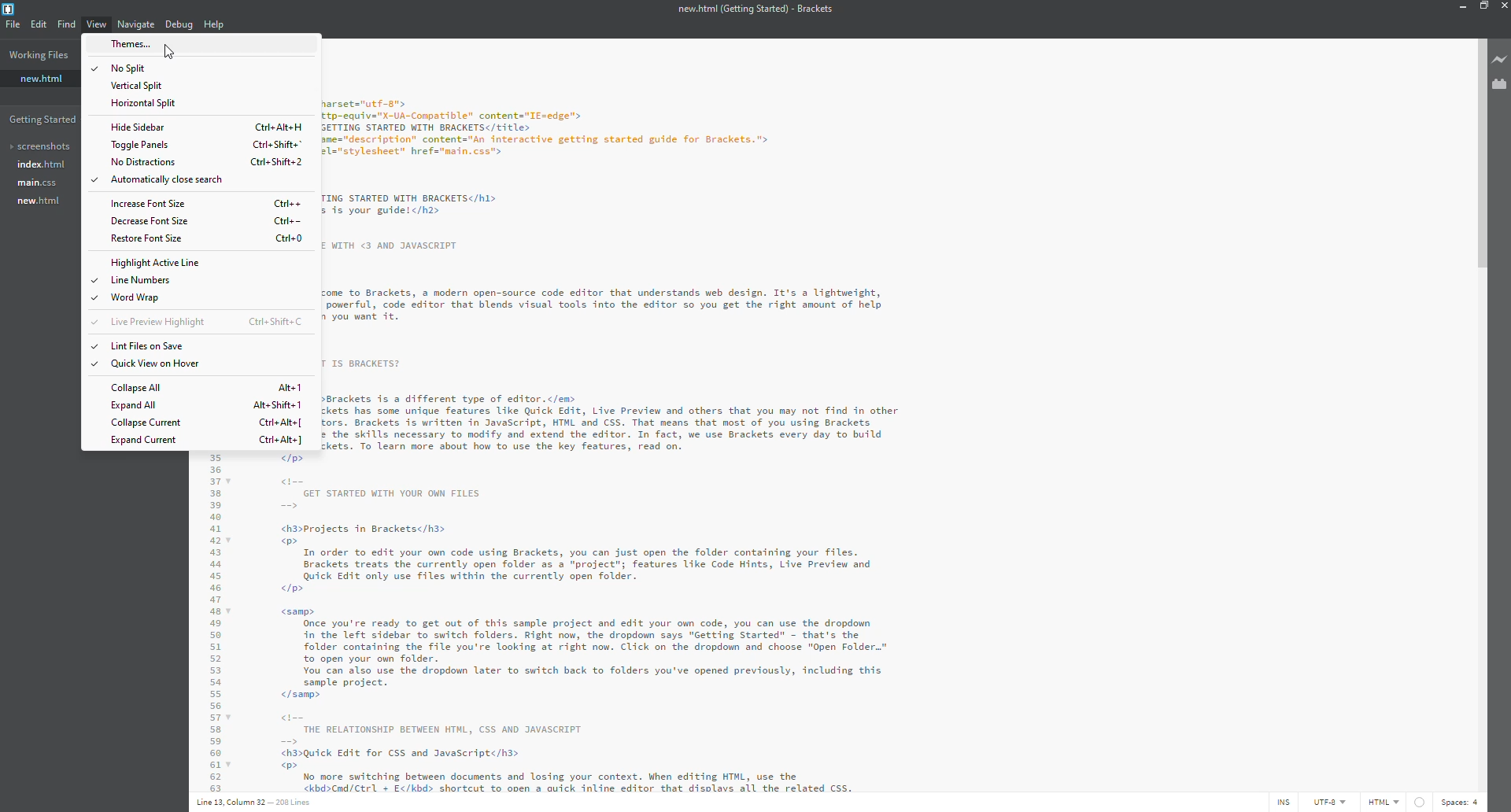 Image resolution: width=1511 pixels, height=812 pixels. Describe the element at coordinates (41, 79) in the screenshot. I see `new` at that location.